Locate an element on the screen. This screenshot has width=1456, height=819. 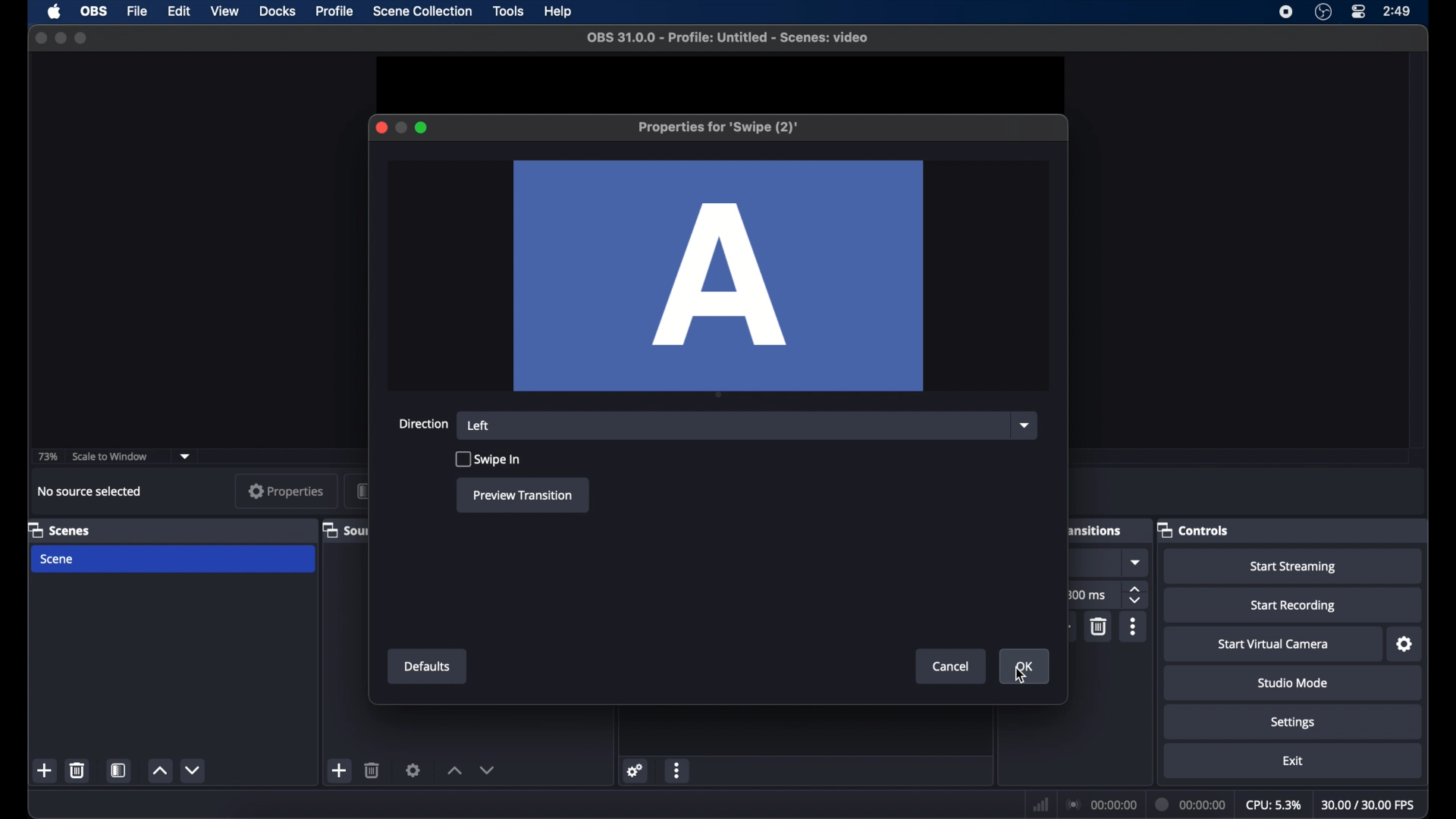
maximize is located at coordinates (82, 39).